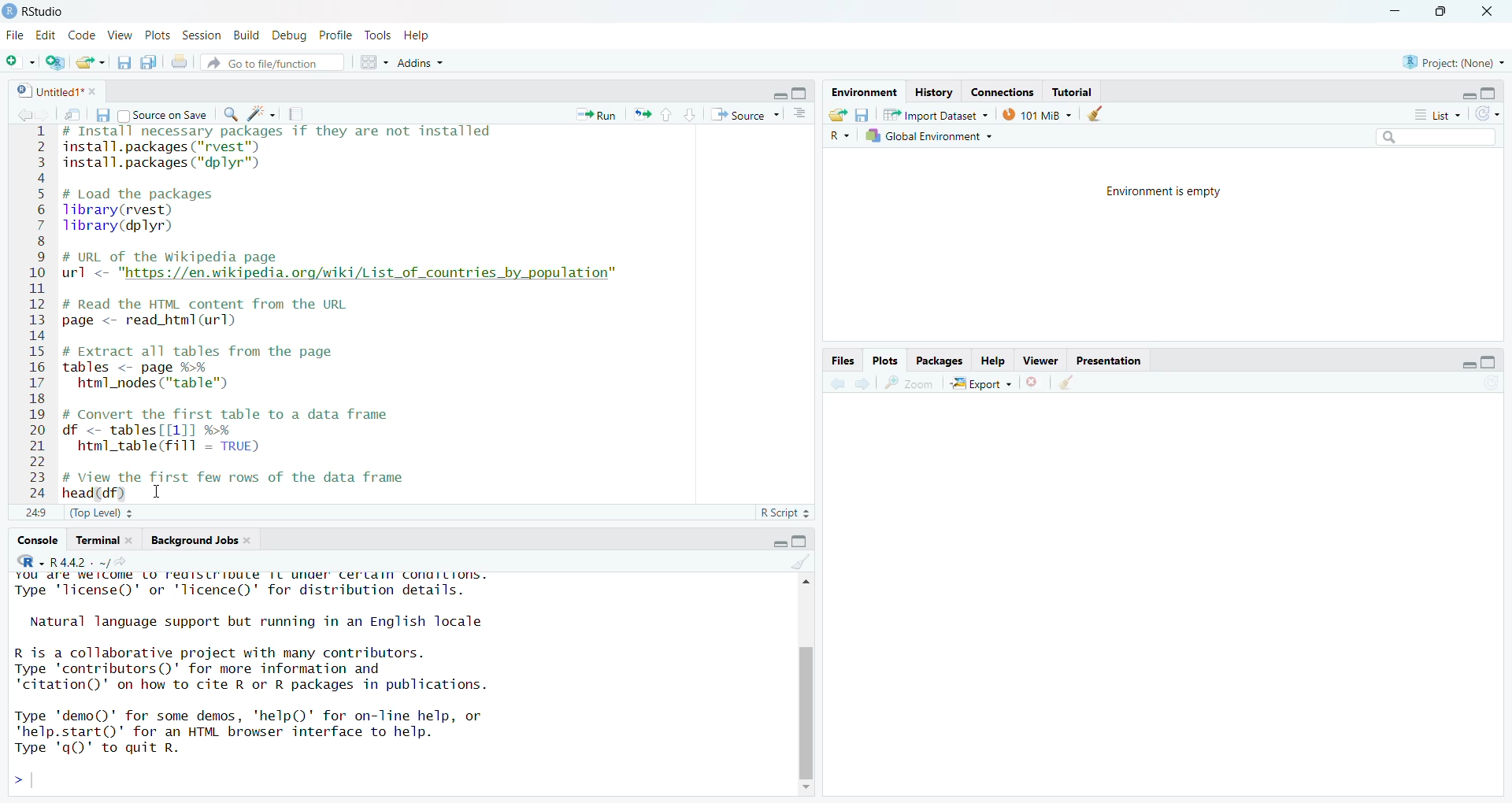 This screenshot has width=1512, height=803. What do you see at coordinates (786, 513) in the screenshot?
I see `R Script` at bounding box center [786, 513].